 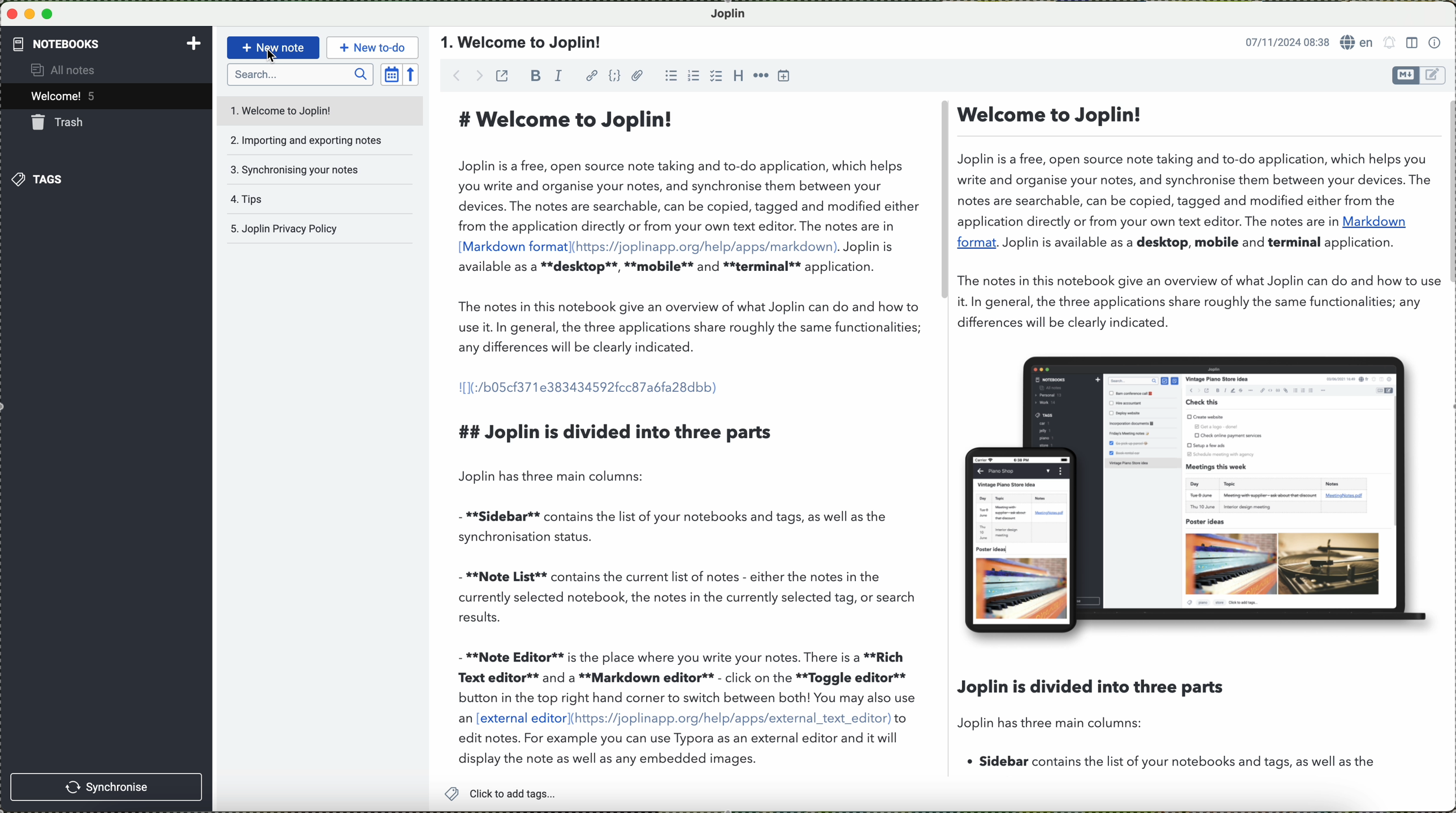 What do you see at coordinates (39, 179) in the screenshot?
I see `tags` at bounding box center [39, 179].